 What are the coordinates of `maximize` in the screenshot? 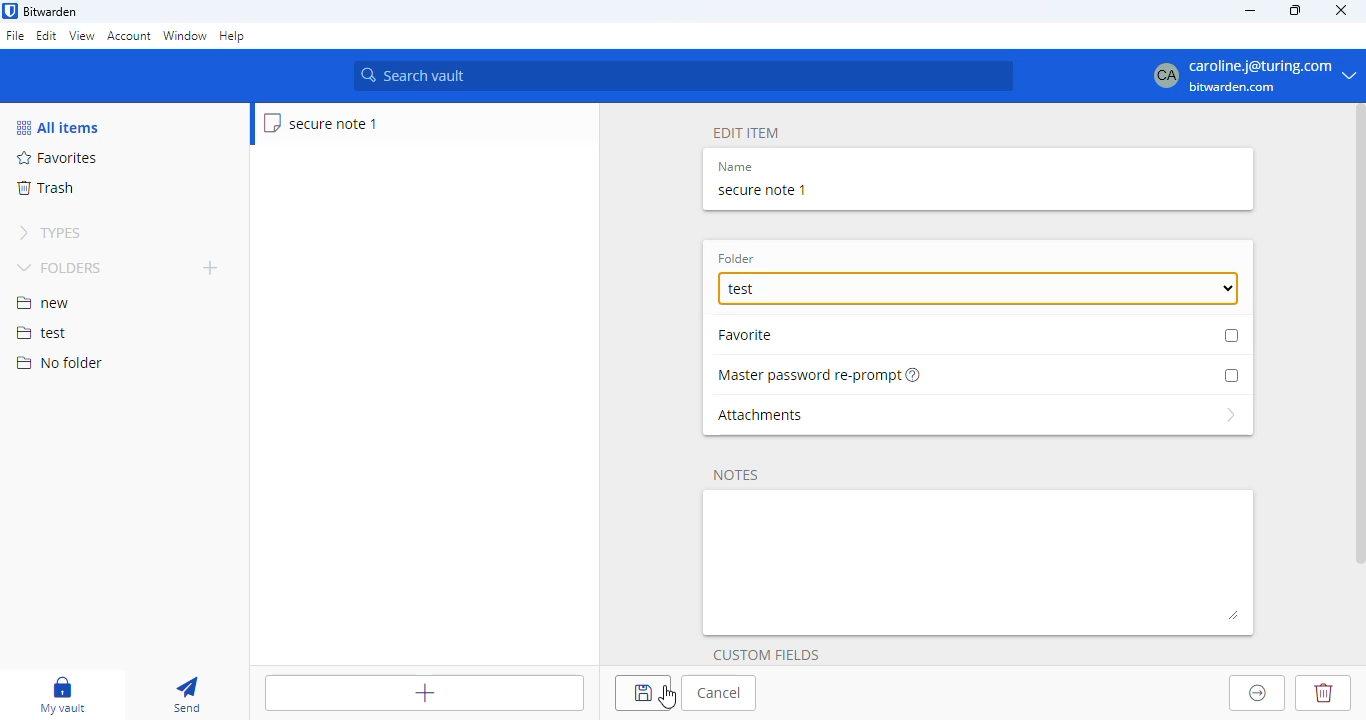 It's located at (1297, 10).